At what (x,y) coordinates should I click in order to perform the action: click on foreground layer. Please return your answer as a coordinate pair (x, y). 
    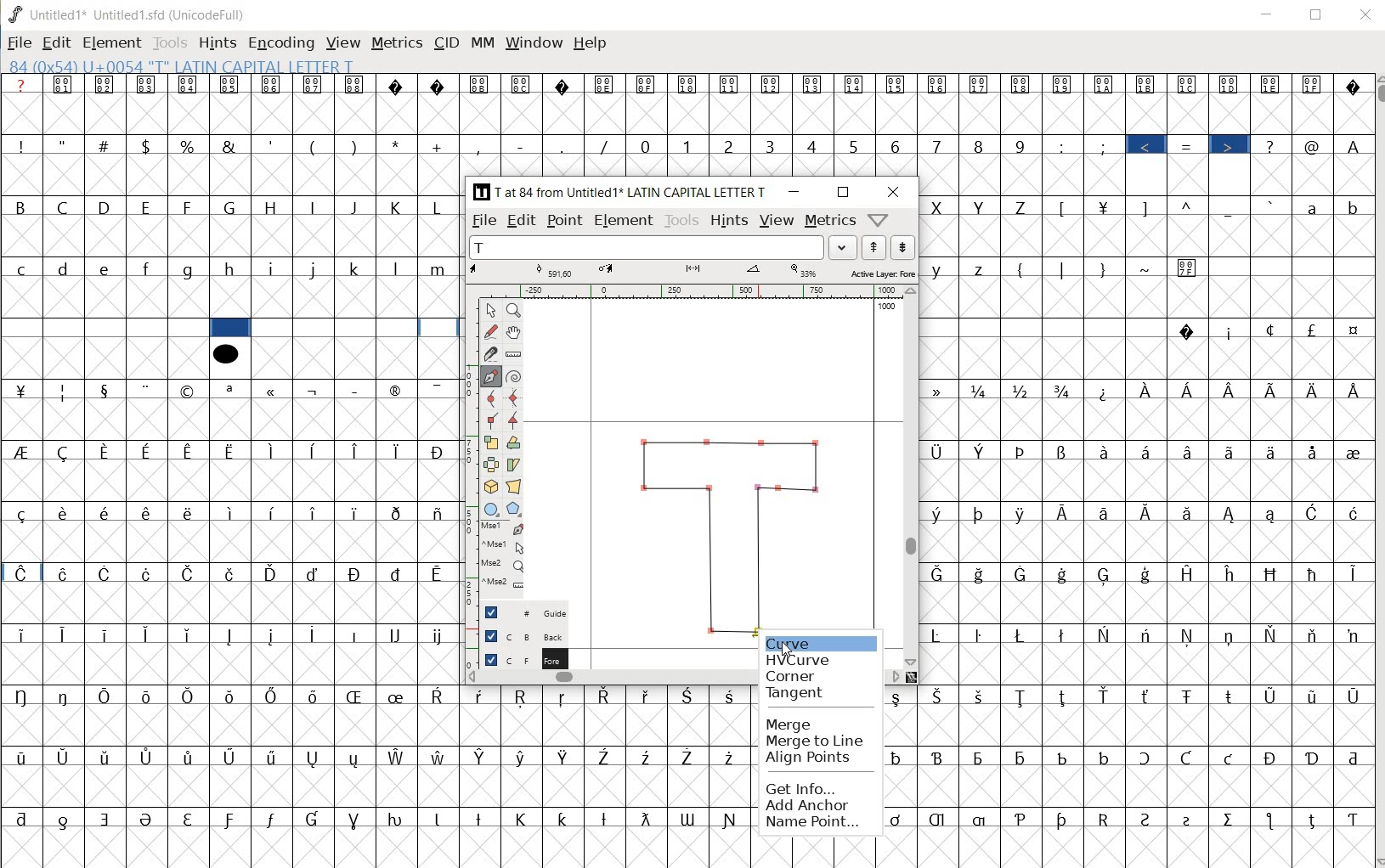
    Looking at the image, I should click on (524, 657).